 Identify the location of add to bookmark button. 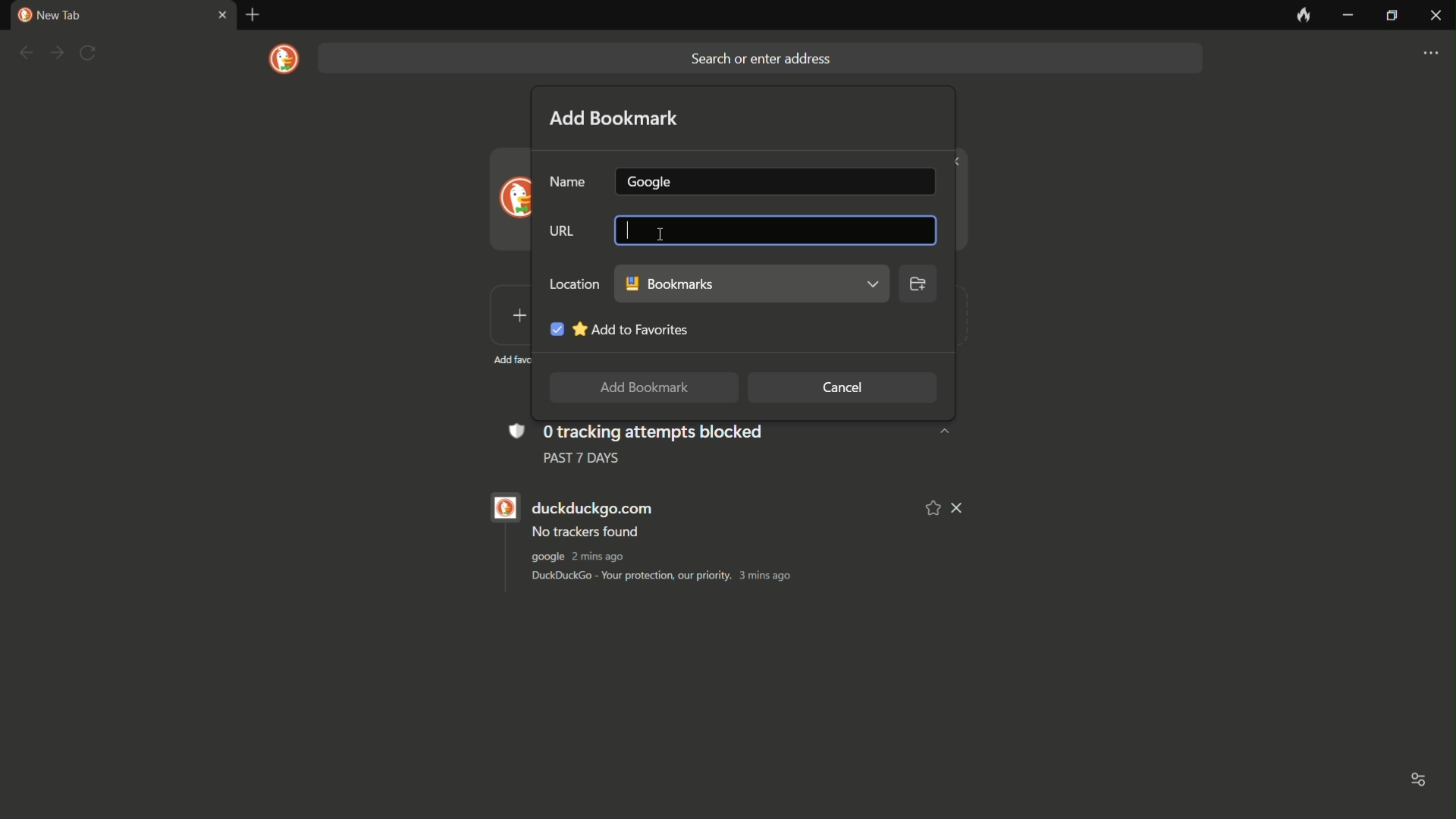
(639, 388).